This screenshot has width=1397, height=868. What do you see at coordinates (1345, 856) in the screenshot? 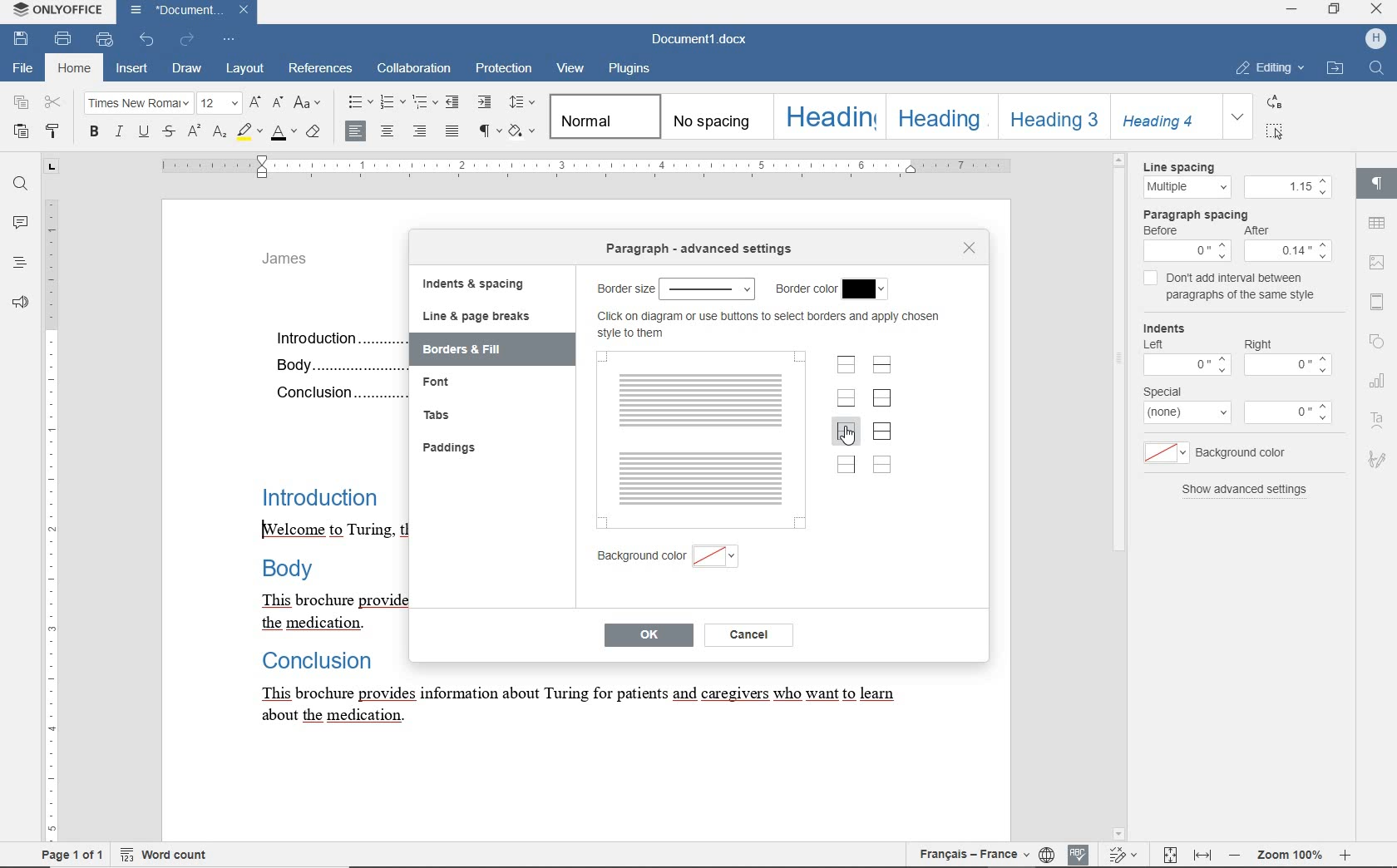
I see `zoom out` at bounding box center [1345, 856].